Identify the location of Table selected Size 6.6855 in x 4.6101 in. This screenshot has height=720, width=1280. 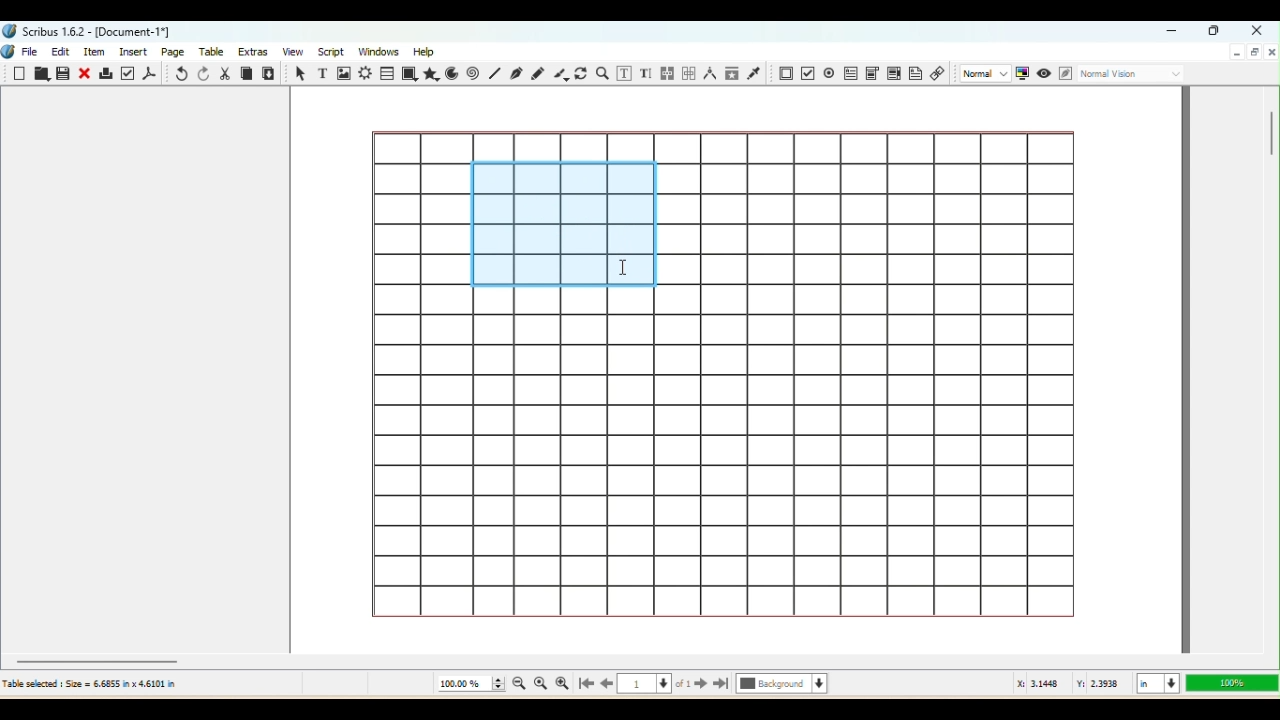
(90, 683).